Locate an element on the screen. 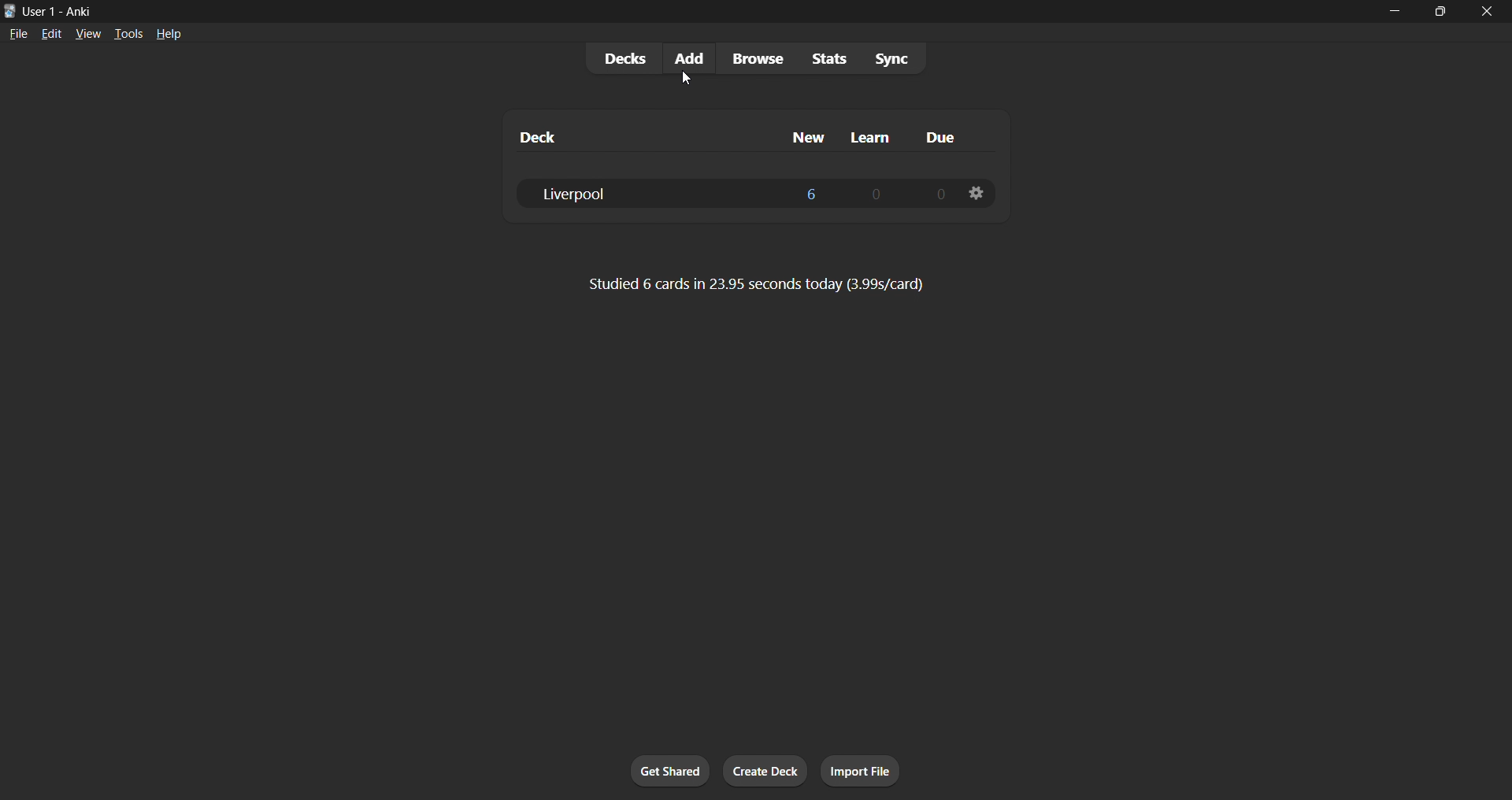  learn column is located at coordinates (871, 139).